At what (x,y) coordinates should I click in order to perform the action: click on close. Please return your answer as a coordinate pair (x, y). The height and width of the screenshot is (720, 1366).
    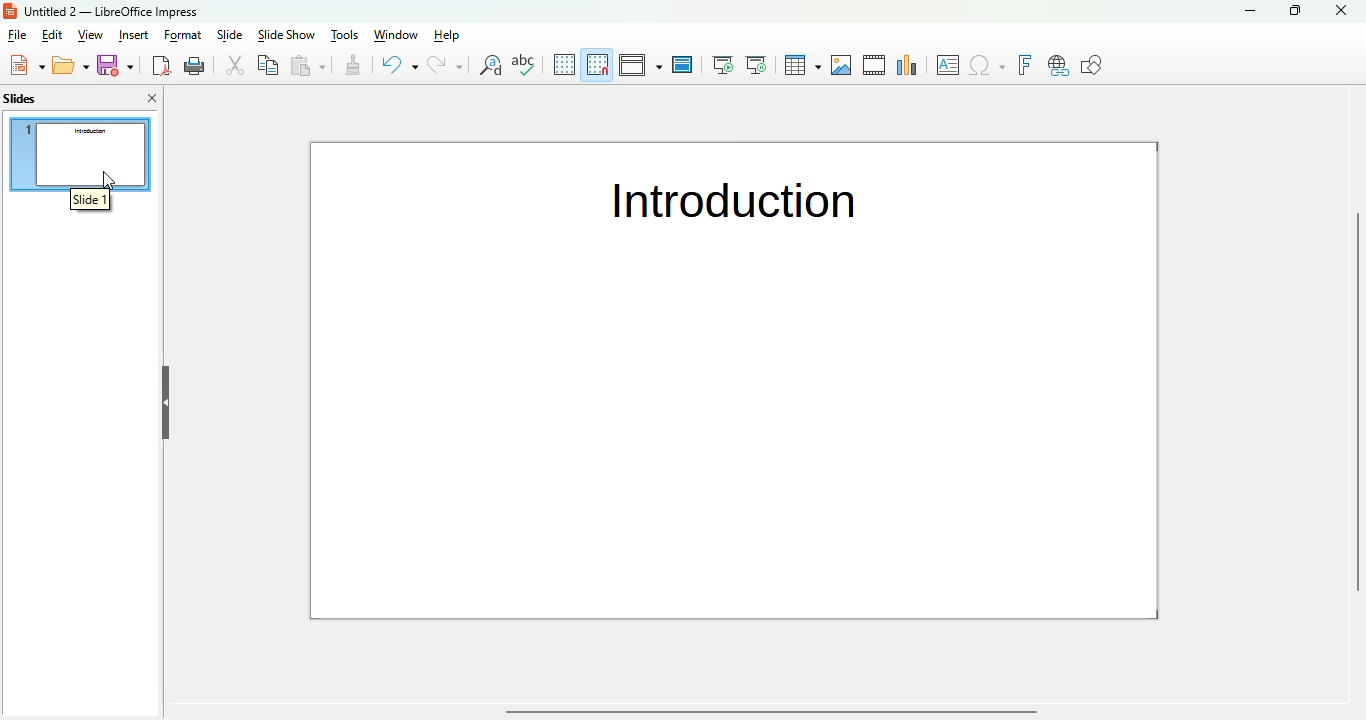
    Looking at the image, I should click on (1340, 10).